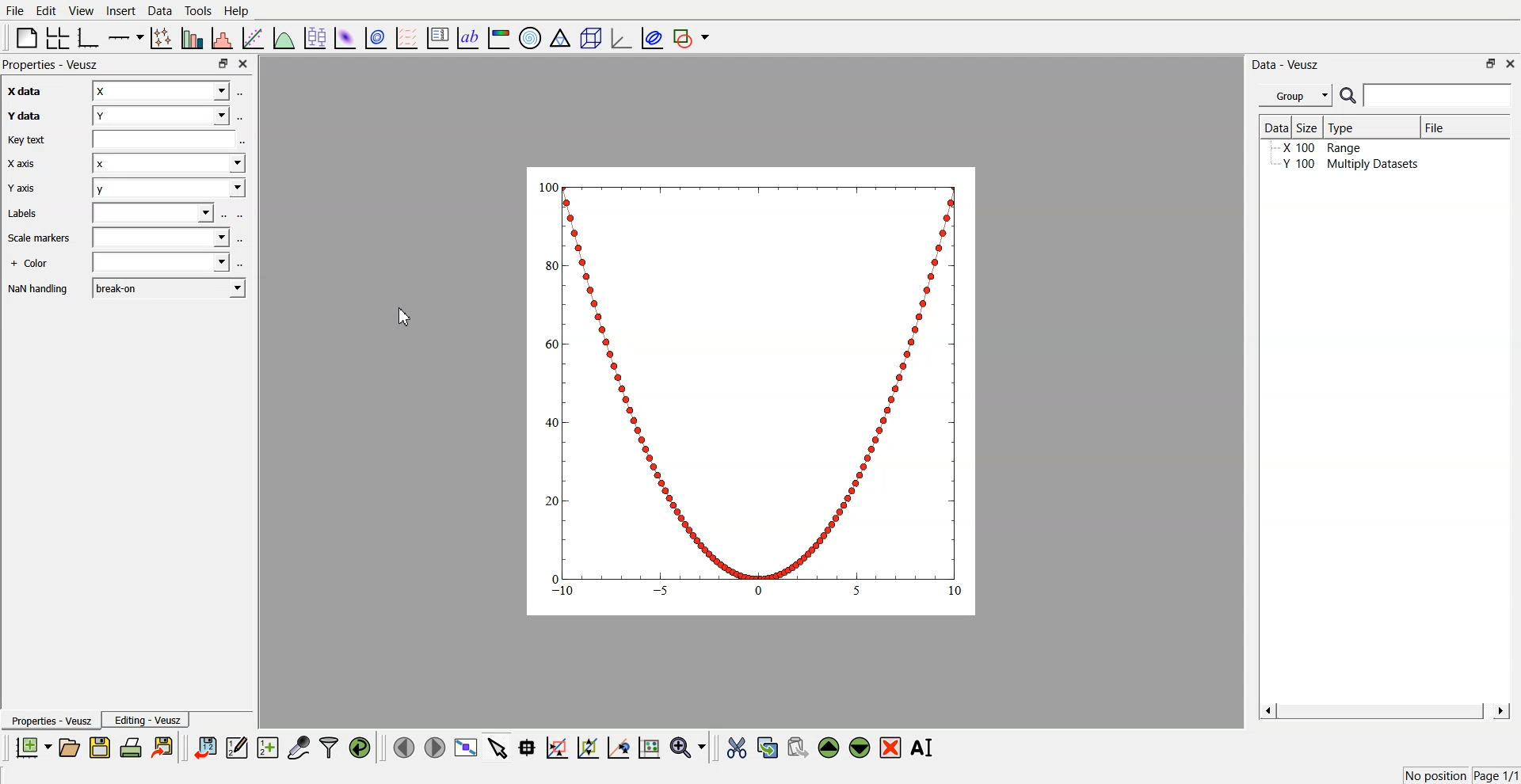 Image resolution: width=1521 pixels, height=784 pixels. What do you see at coordinates (796, 747) in the screenshot?
I see `paste the selected widgets` at bounding box center [796, 747].